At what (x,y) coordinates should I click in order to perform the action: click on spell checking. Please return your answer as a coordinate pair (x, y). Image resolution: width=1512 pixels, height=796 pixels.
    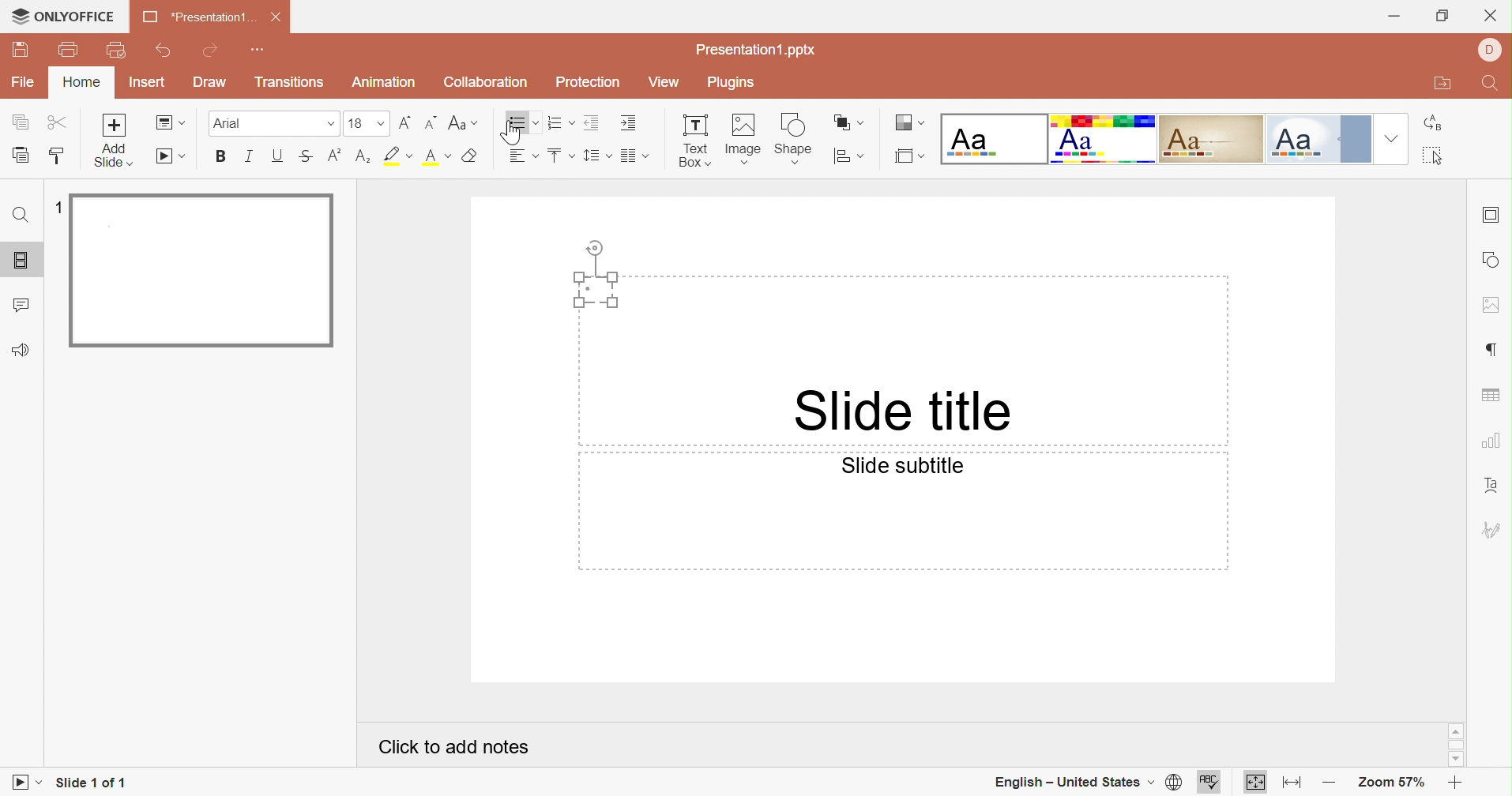
    Looking at the image, I should click on (1214, 783).